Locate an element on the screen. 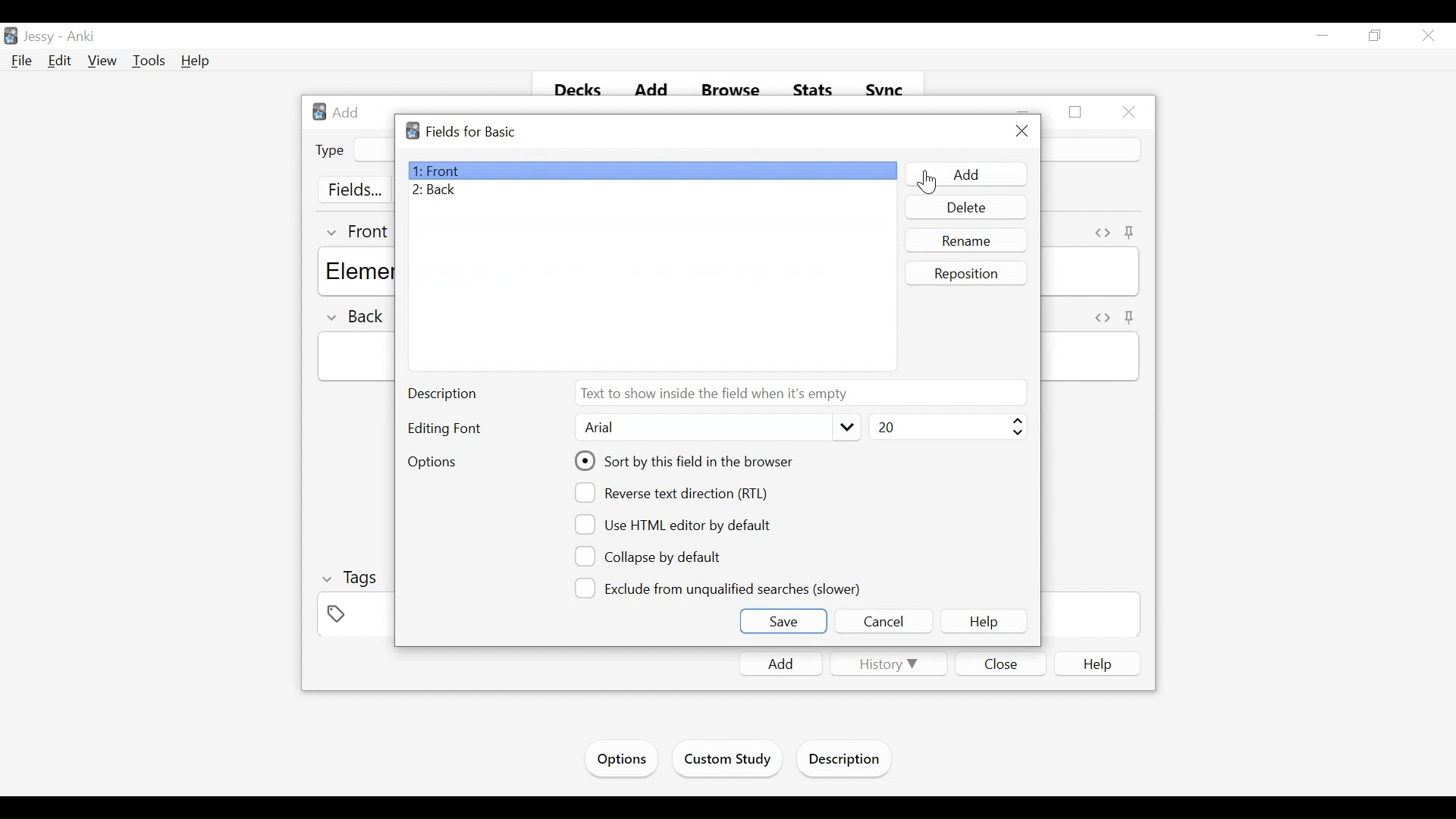 The image size is (1456, 819). Cancel is located at coordinates (884, 622).